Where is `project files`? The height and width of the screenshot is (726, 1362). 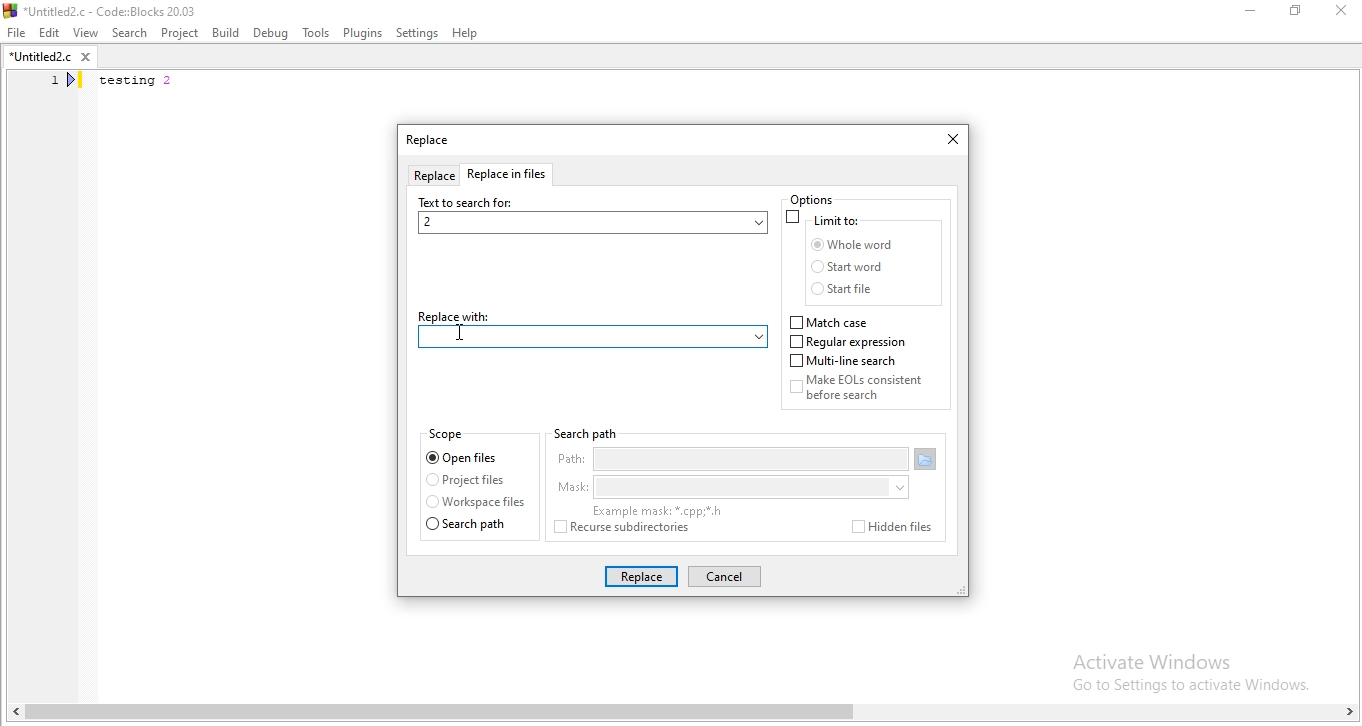
project files is located at coordinates (466, 481).